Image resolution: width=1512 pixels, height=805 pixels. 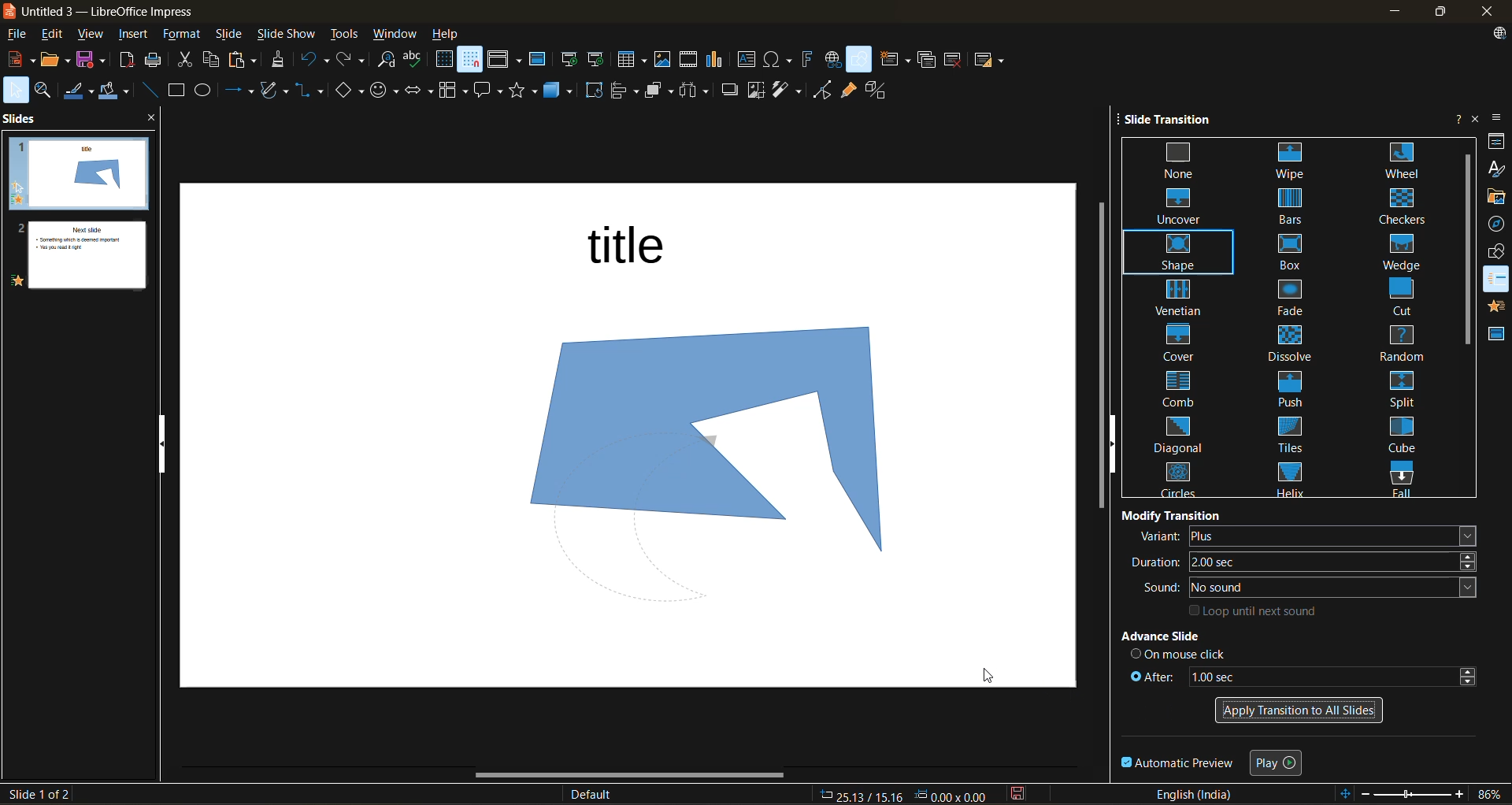 I want to click on maximize, so click(x=1446, y=12).